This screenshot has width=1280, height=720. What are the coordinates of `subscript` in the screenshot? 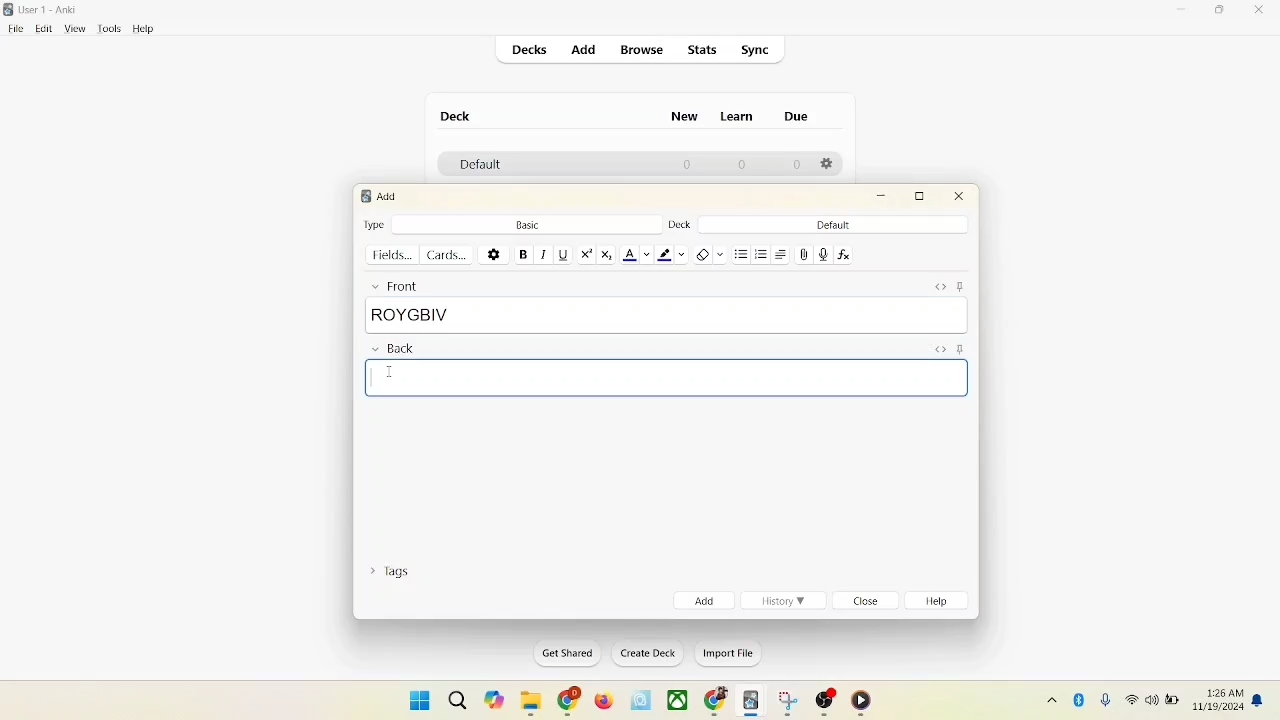 It's located at (607, 255).